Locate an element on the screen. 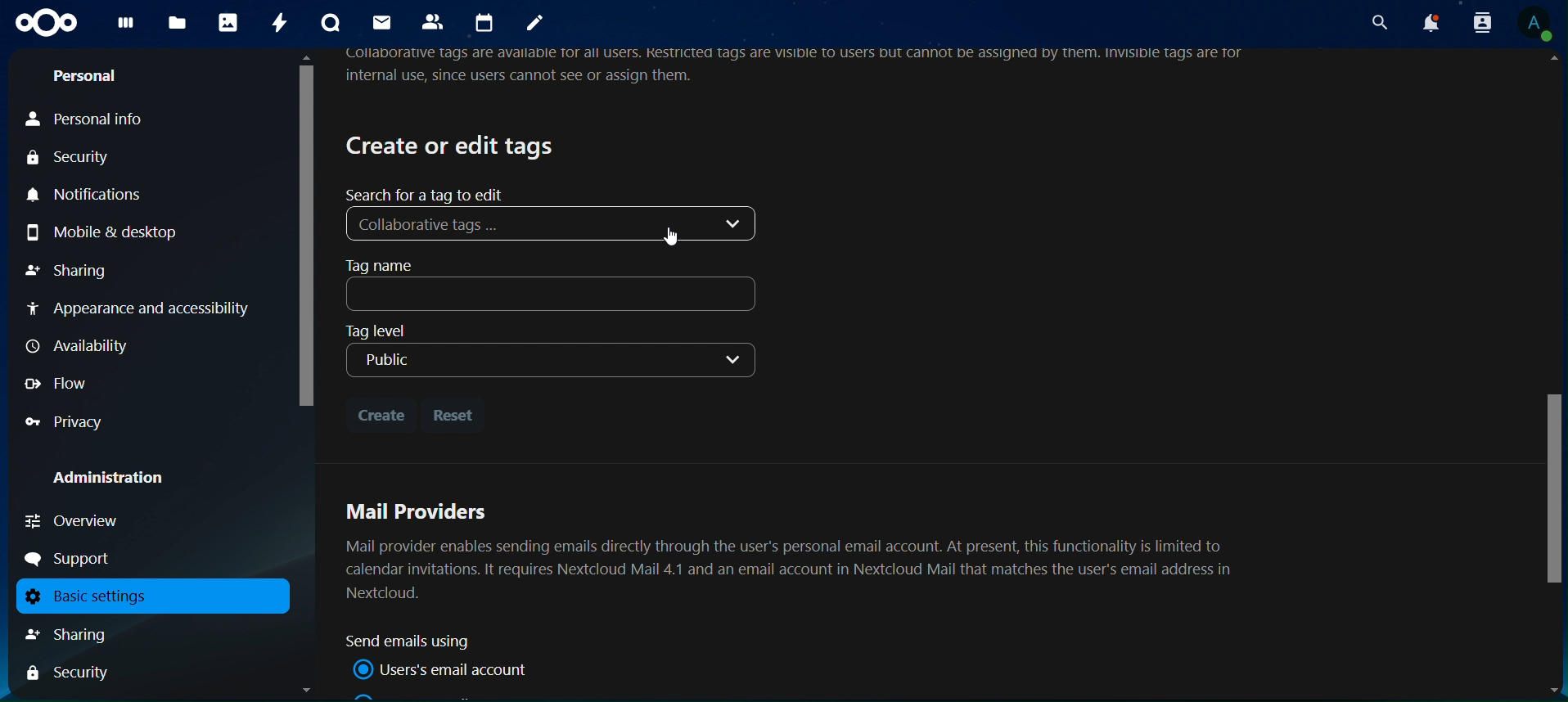 This screenshot has height=702, width=1568. Ollaborative tags are available Tor all USErs. Restricted tags are VISIDIE TO USErs but cannot be assignea by them. InvisiDI€ tags are Tornternal use, since users cannot see or assign them. is located at coordinates (802, 68).